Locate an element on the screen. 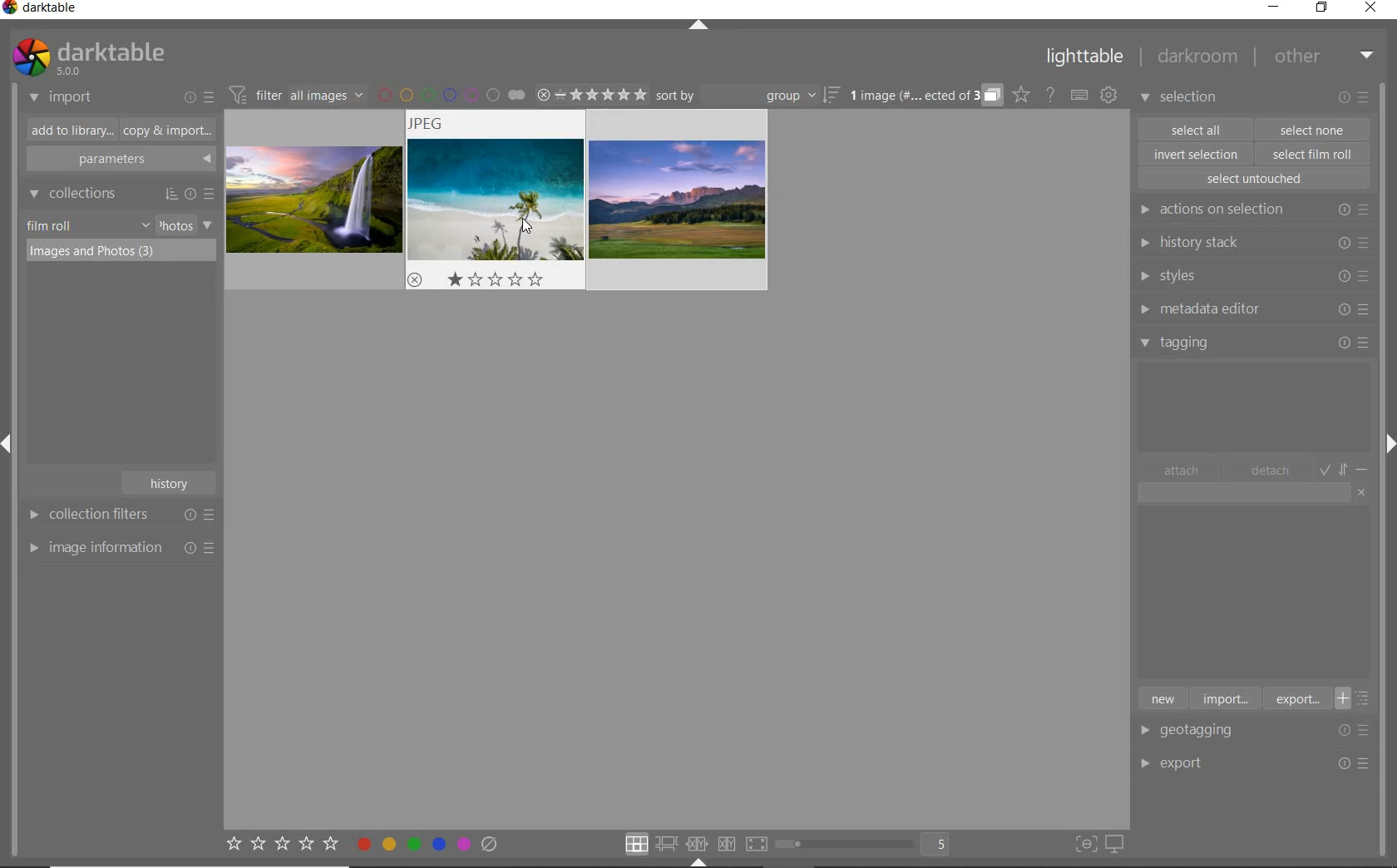 The width and height of the screenshot is (1397, 868). history stack is located at coordinates (1251, 242).